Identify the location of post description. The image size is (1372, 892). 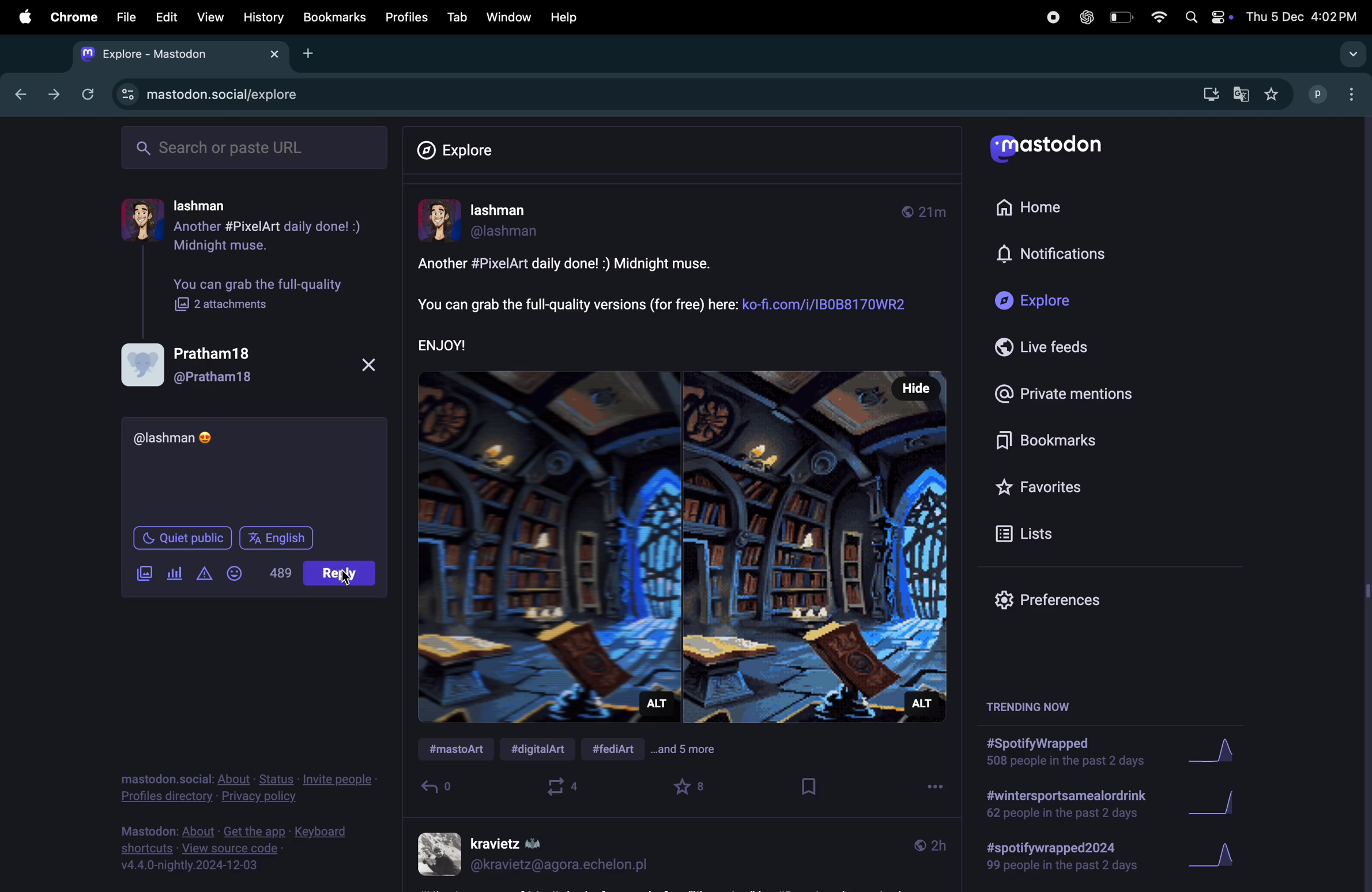
(669, 304).